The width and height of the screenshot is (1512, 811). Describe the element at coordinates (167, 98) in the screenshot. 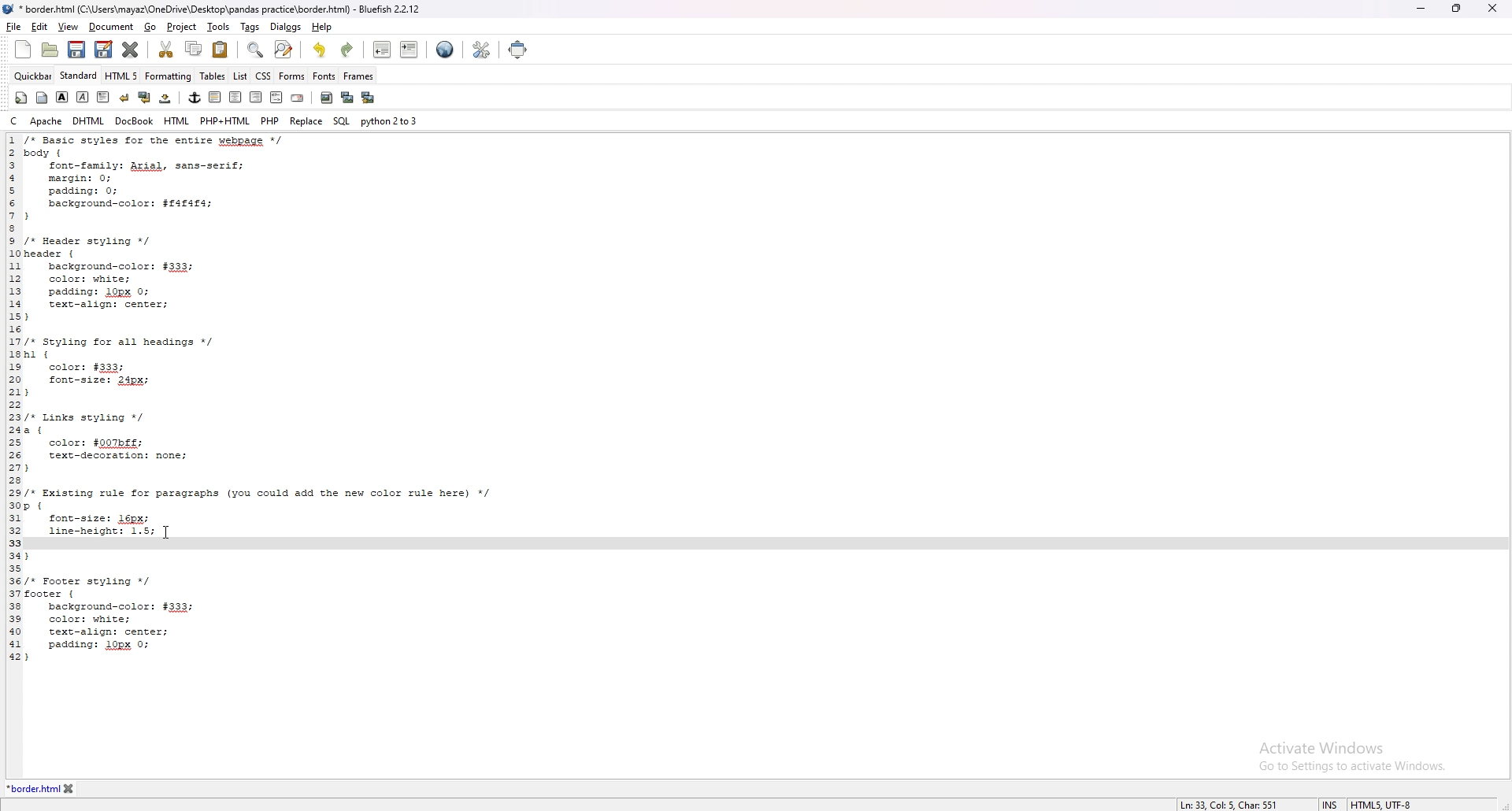

I see `non breaking space` at that location.